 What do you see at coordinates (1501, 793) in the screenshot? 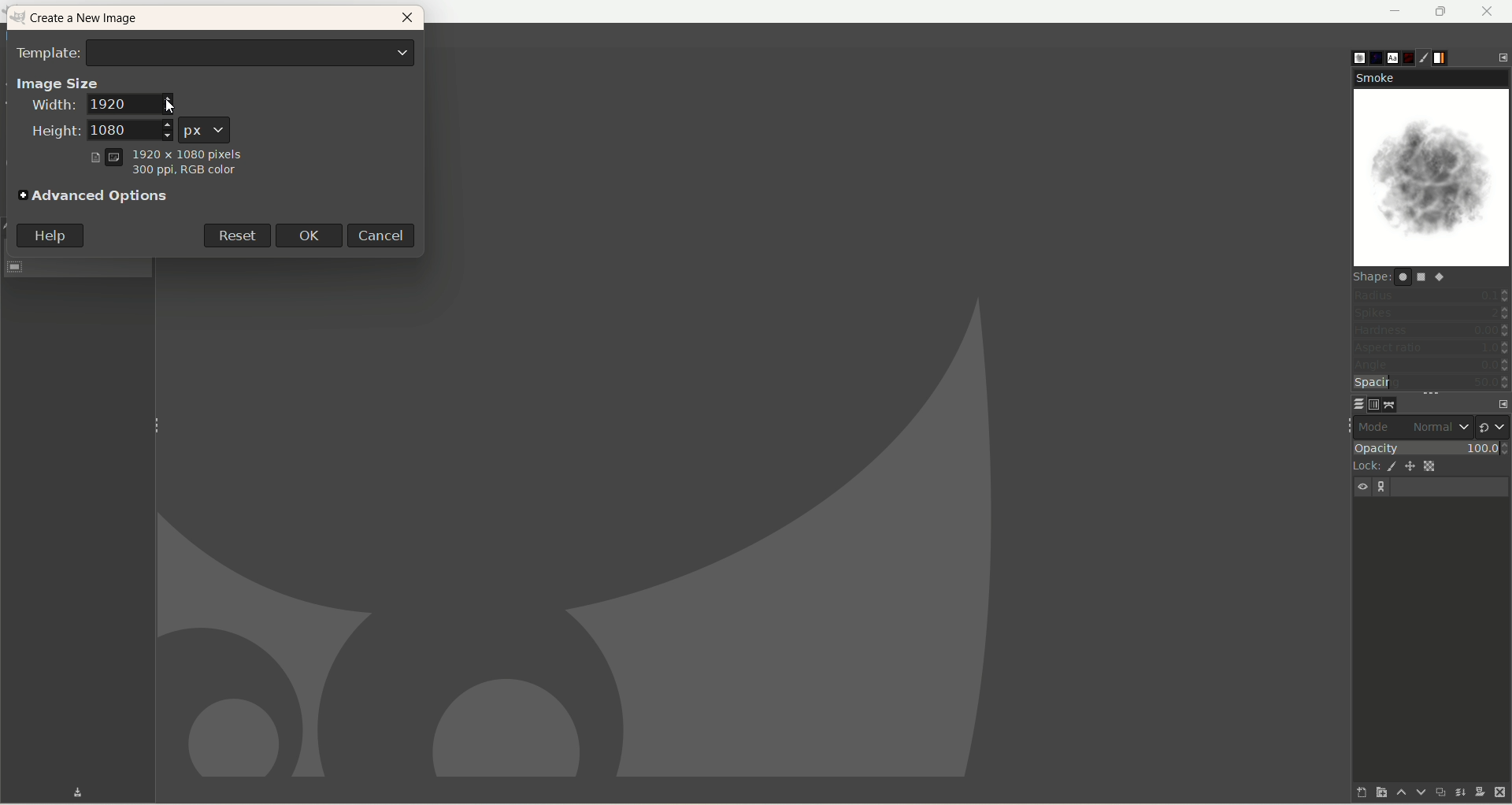
I see `delete this layer` at bounding box center [1501, 793].